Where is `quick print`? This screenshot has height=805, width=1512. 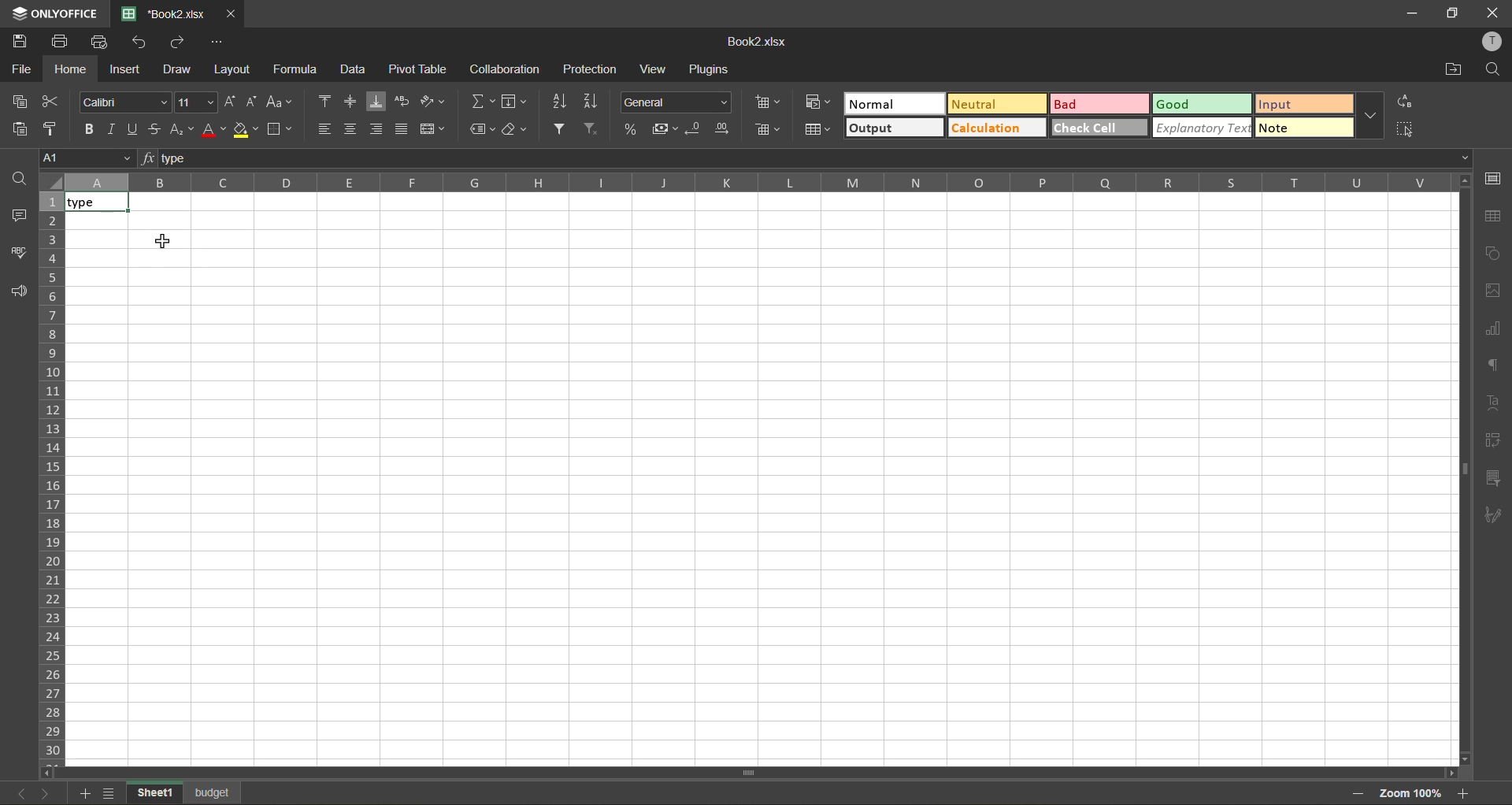
quick print is located at coordinates (102, 43).